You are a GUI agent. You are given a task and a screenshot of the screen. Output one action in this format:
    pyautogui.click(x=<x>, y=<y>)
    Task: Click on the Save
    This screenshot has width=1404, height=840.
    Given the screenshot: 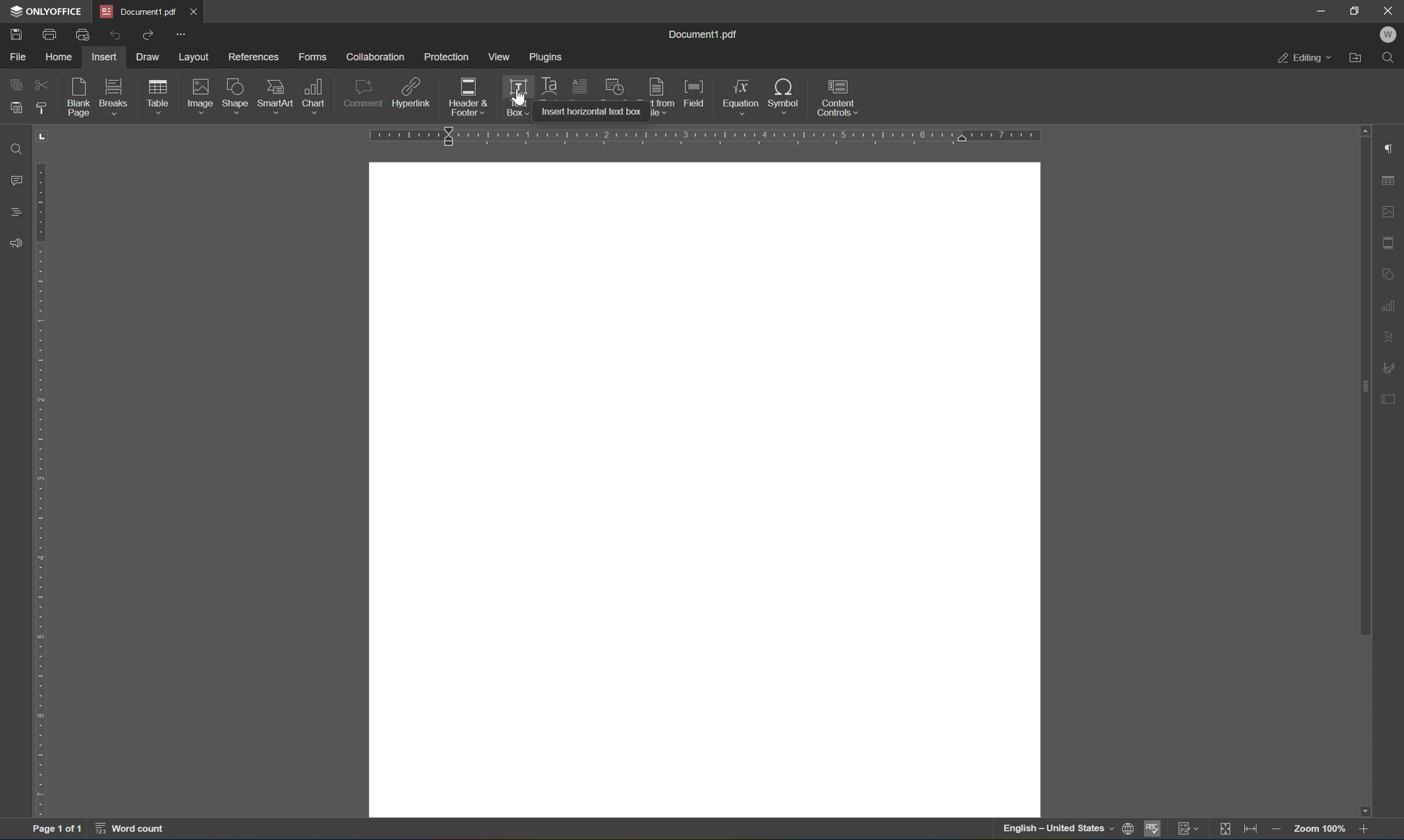 What is the action you would take?
    pyautogui.click(x=17, y=35)
    